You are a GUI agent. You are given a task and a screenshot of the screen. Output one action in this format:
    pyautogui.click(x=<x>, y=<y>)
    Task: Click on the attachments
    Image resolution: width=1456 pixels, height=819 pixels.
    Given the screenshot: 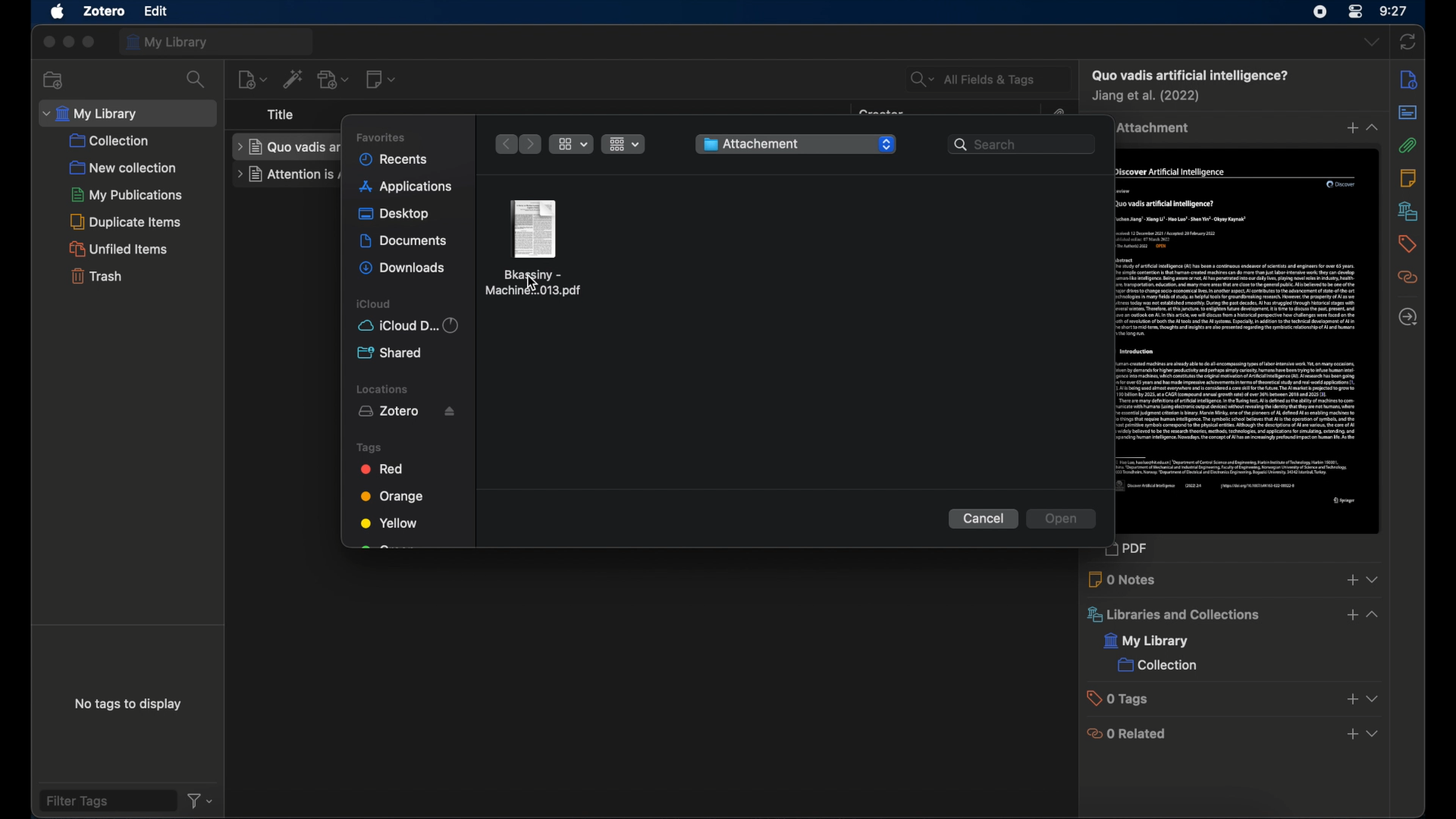 What is the action you would take?
    pyautogui.click(x=1407, y=146)
    